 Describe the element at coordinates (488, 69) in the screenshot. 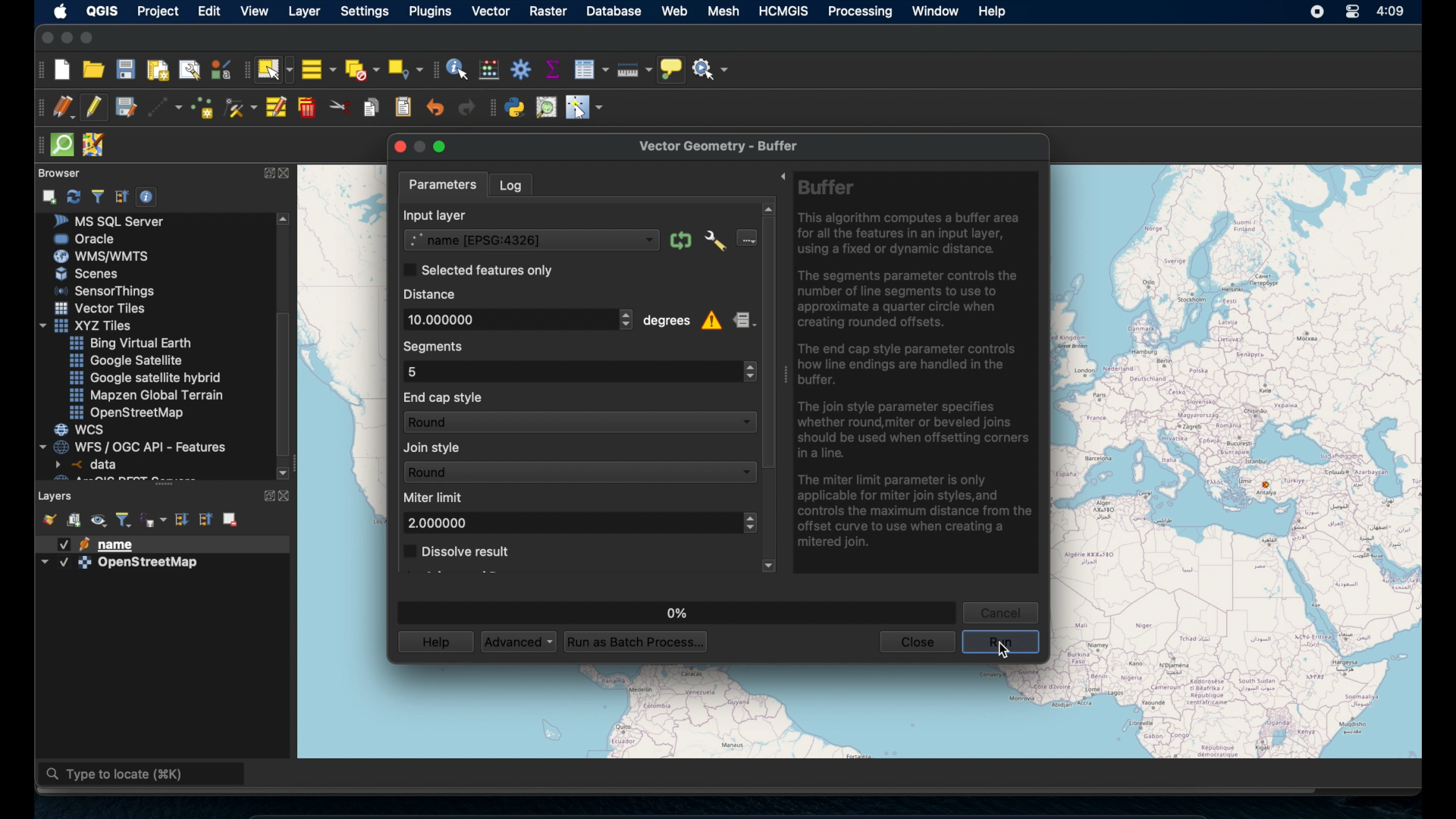

I see `open field calculator` at that location.